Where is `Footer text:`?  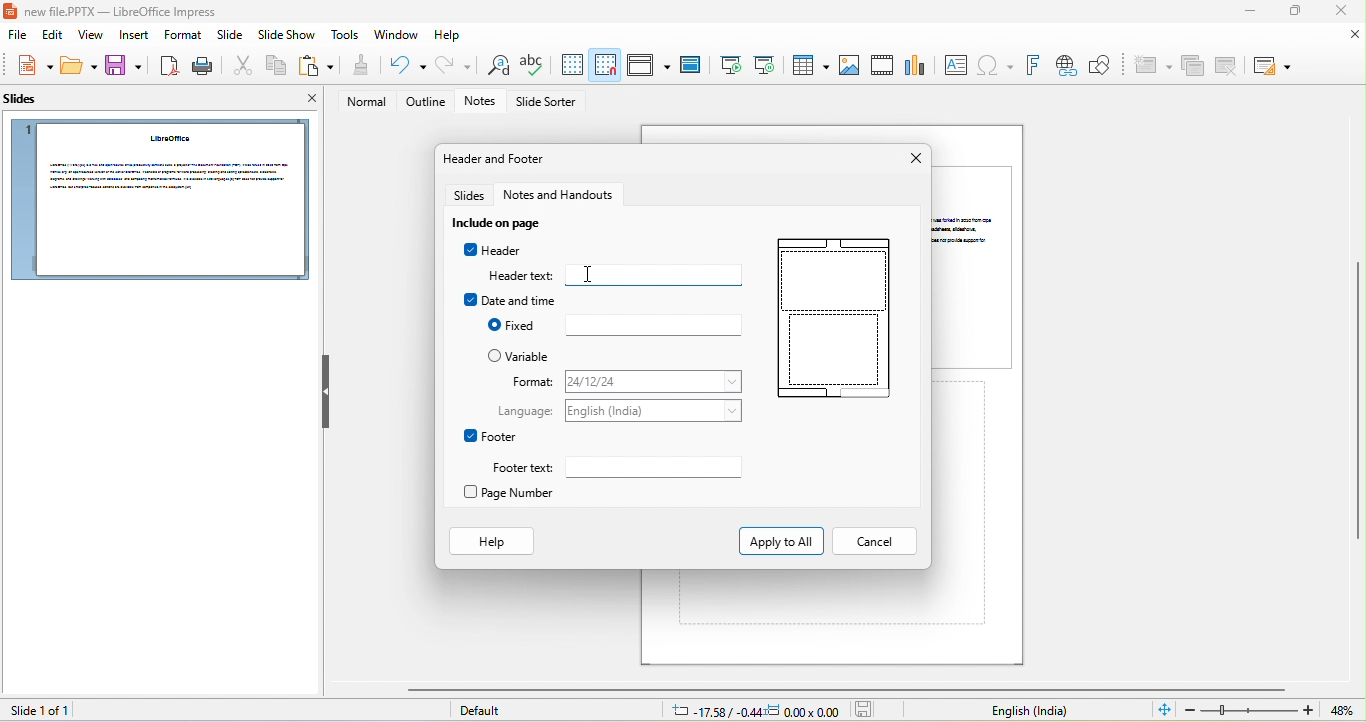 Footer text: is located at coordinates (517, 468).